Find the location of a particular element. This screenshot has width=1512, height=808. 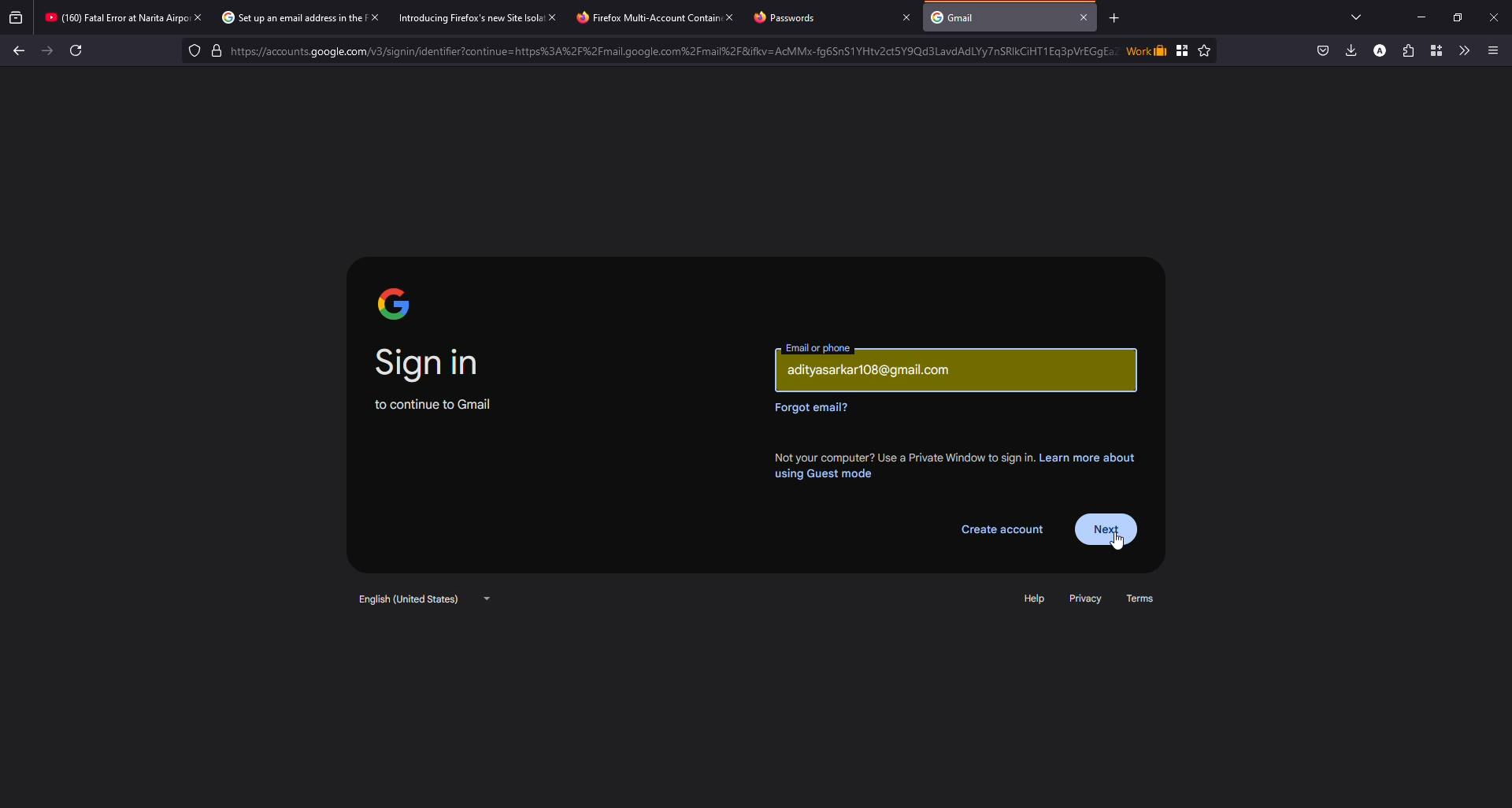

google is located at coordinates (395, 302).